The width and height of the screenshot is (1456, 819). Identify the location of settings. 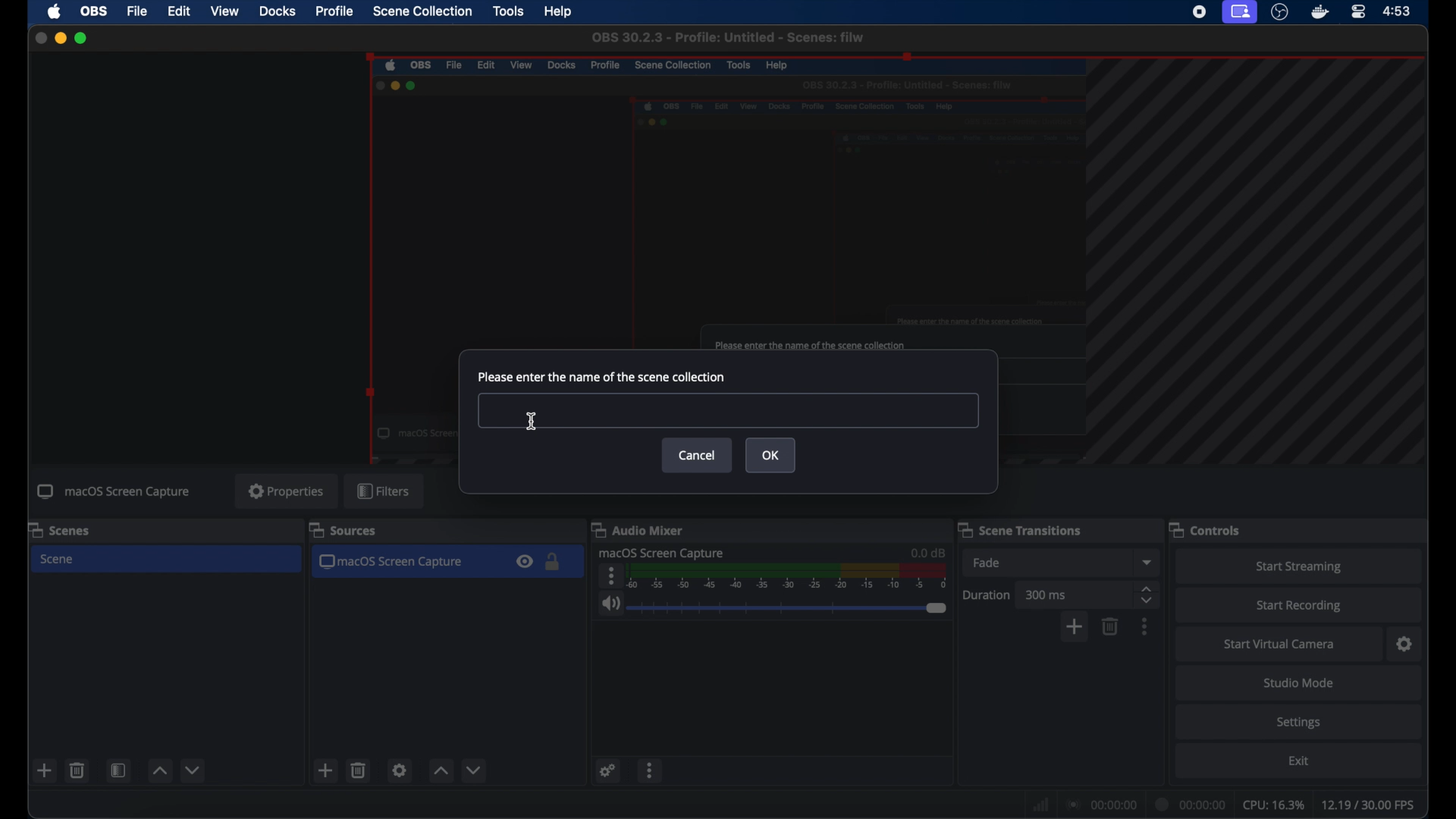
(1303, 723).